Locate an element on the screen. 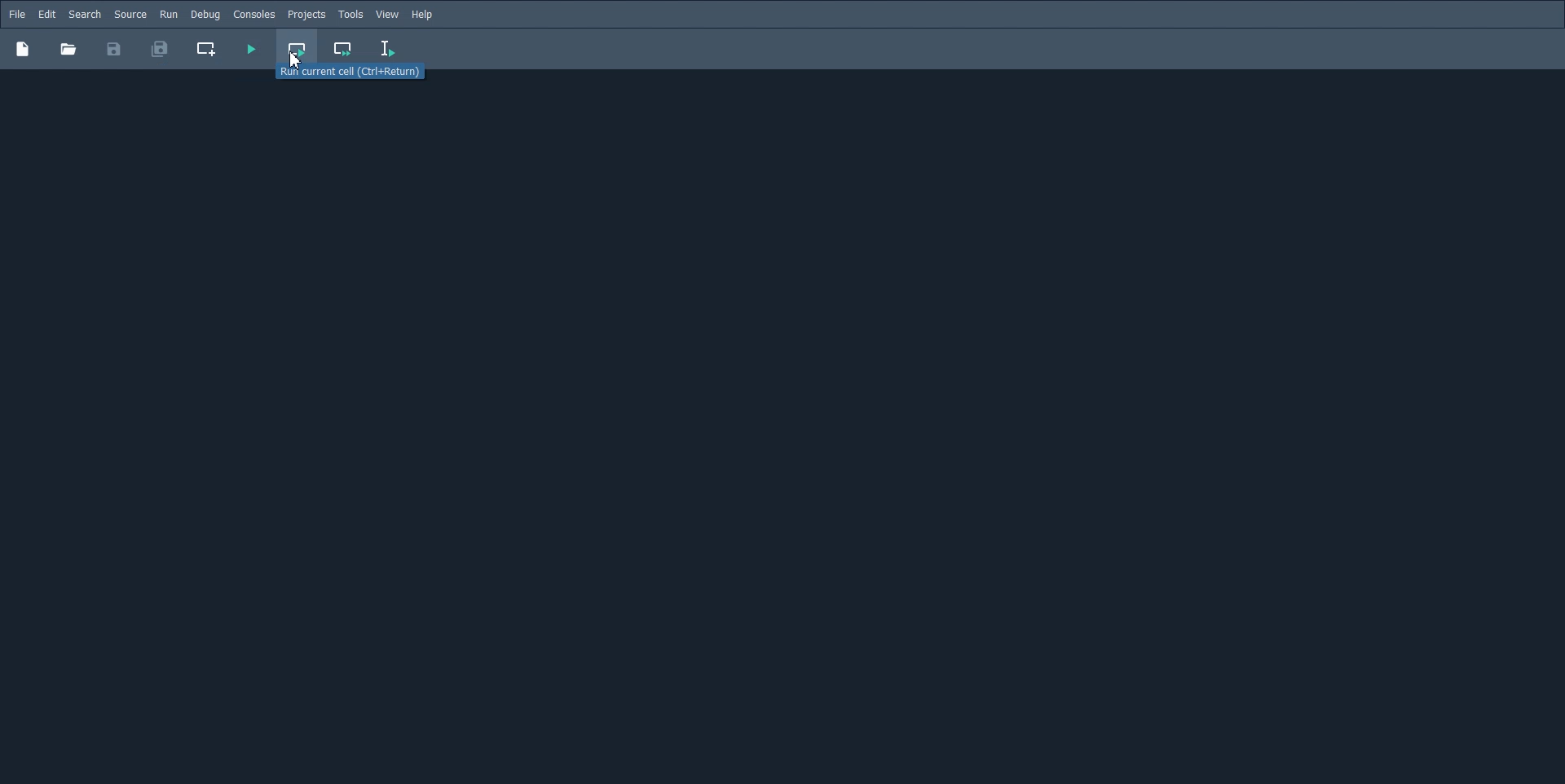 This screenshot has width=1565, height=784. Run Current cell and go to next cell is located at coordinates (344, 50).